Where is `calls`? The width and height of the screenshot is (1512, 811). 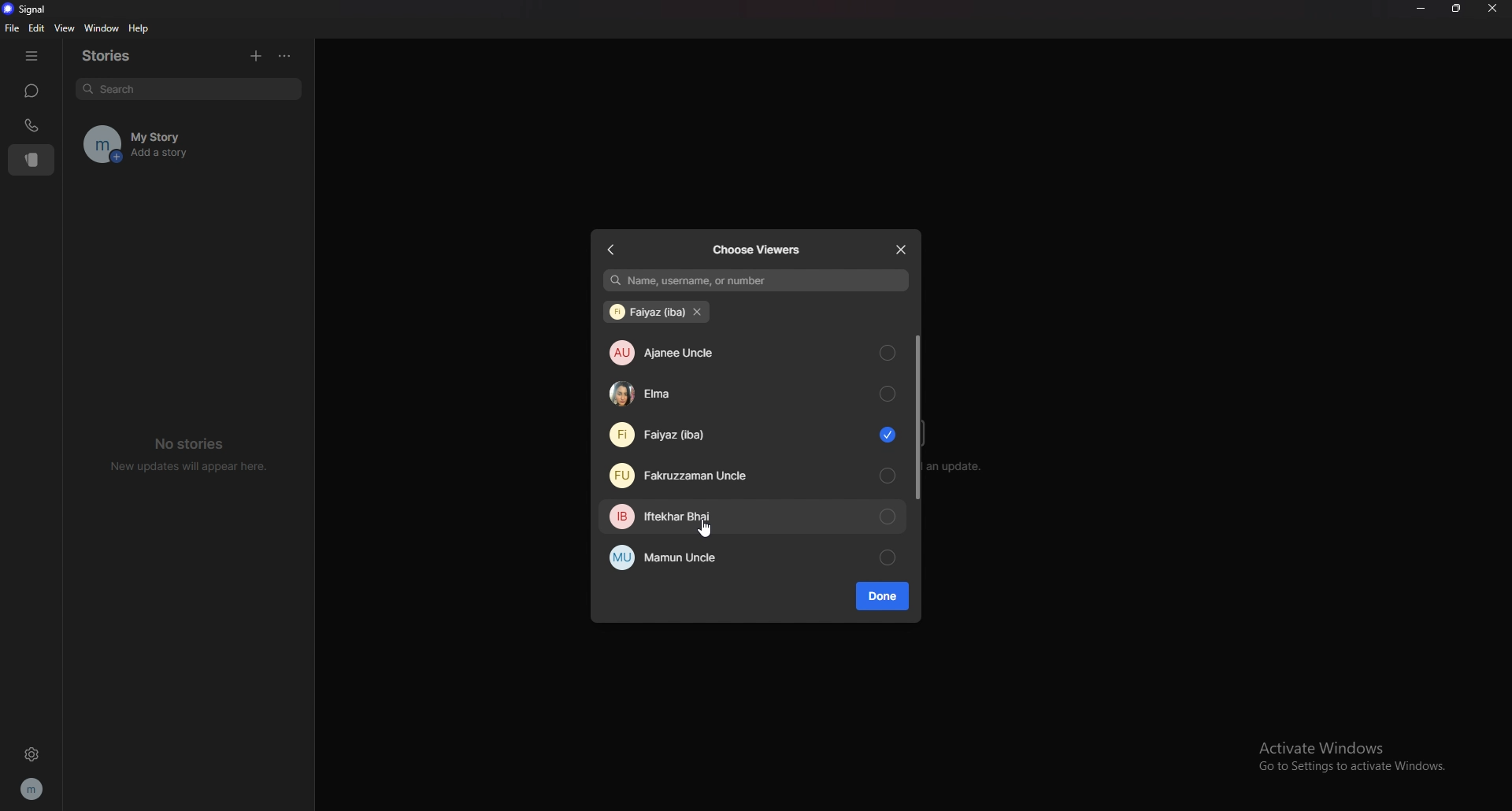
calls is located at coordinates (31, 125).